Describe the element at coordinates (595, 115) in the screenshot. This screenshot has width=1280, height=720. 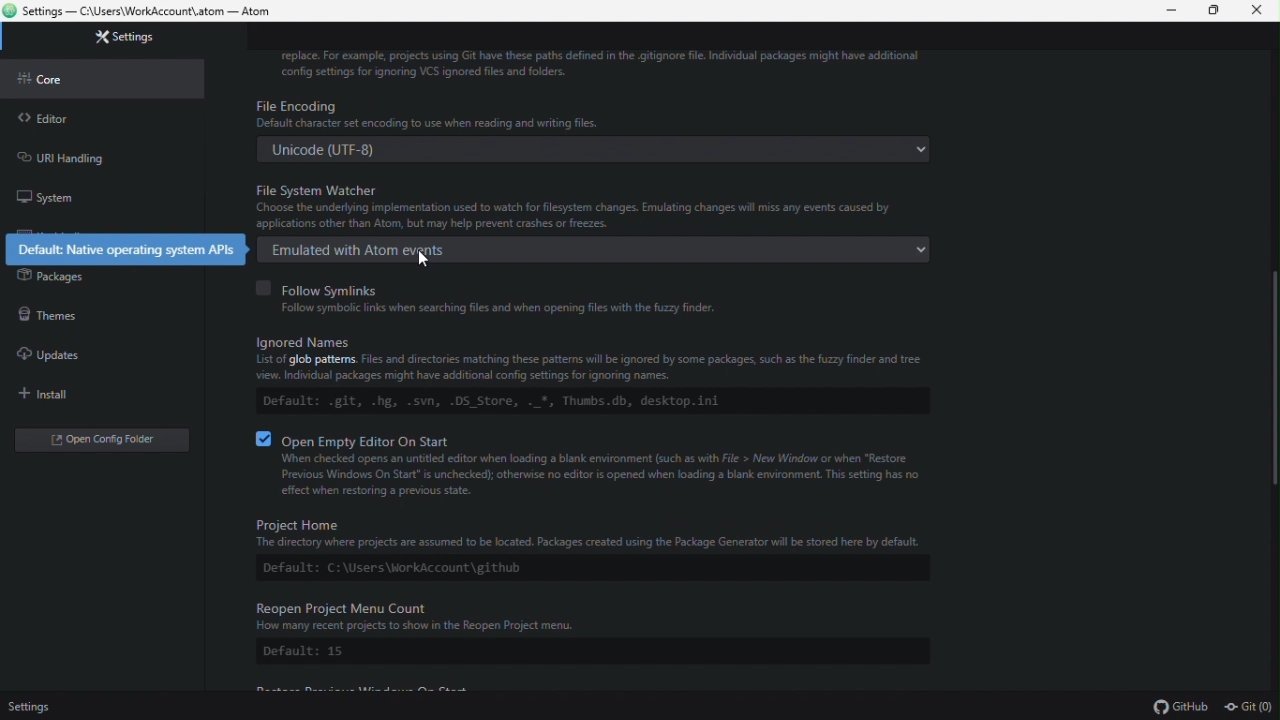
I see `File Encoding Default character set encoding to use when reading and writing files.` at that location.